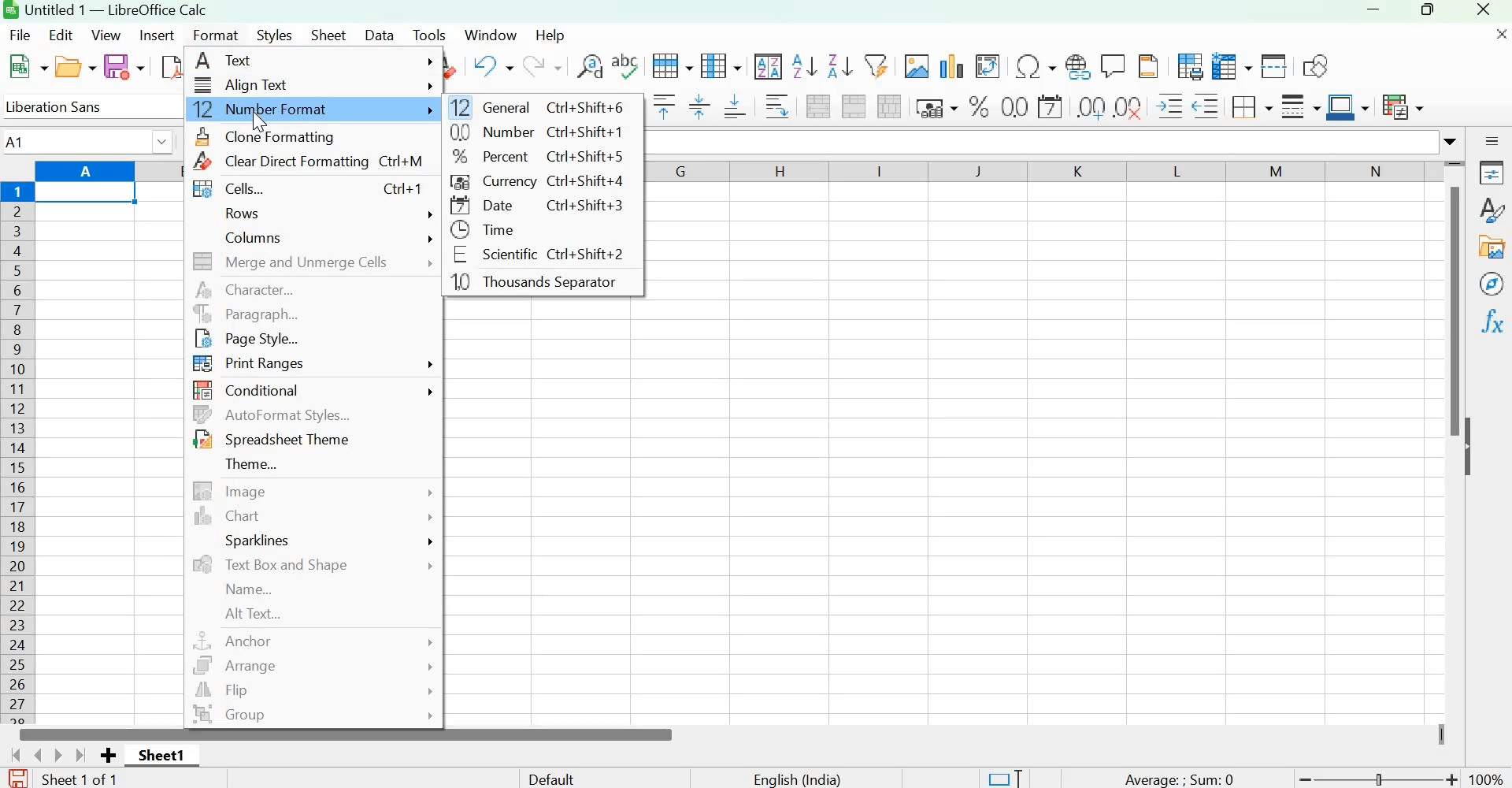 The height and width of the screenshot is (788, 1512). What do you see at coordinates (538, 283) in the screenshot?
I see `Thousands Separator` at bounding box center [538, 283].